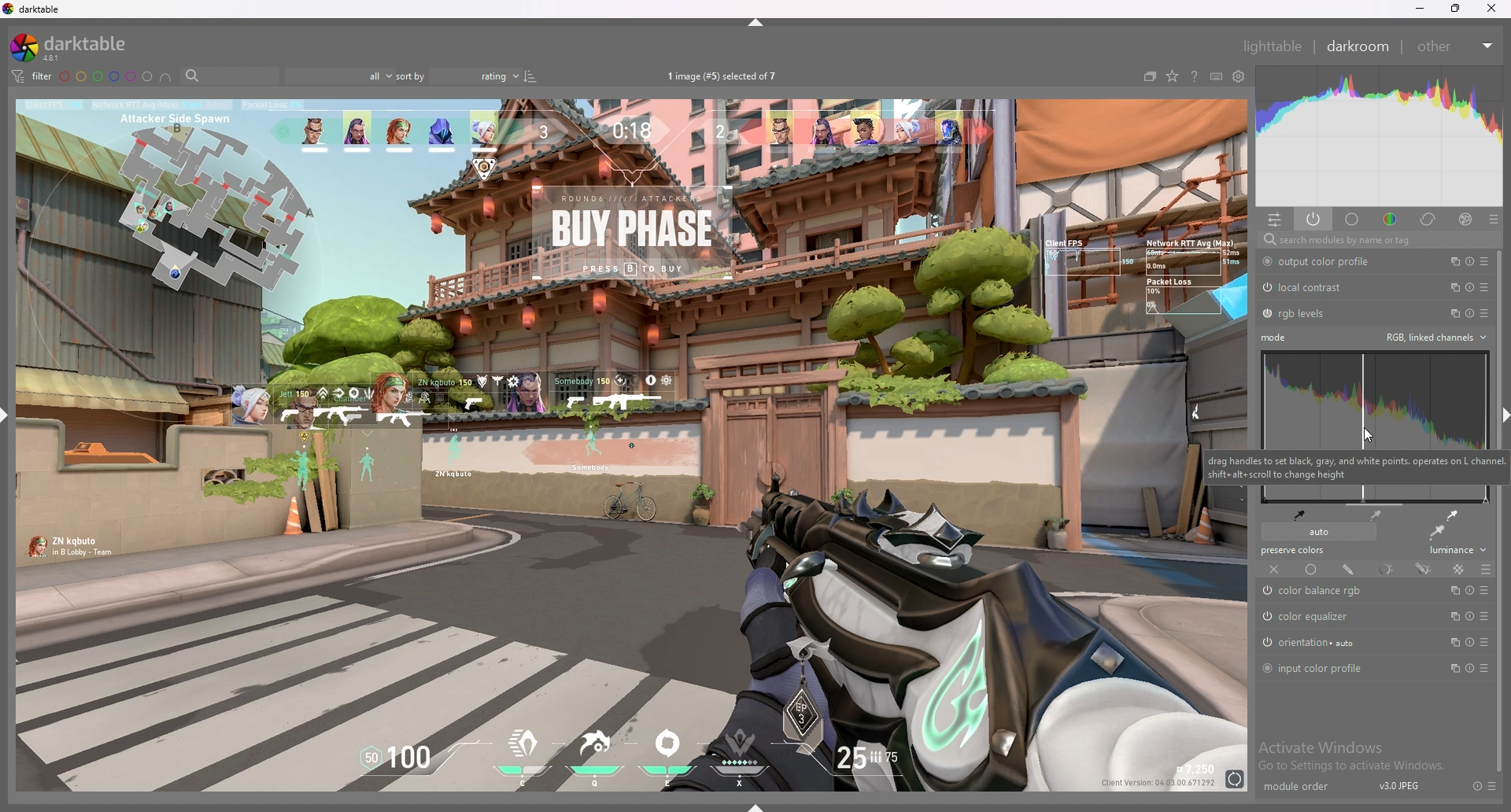 Image resolution: width=1511 pixels, height=812 pixels. Describe the element at coordinates (1295, 551) in the screenshot. I see `preserve colors` at that location.